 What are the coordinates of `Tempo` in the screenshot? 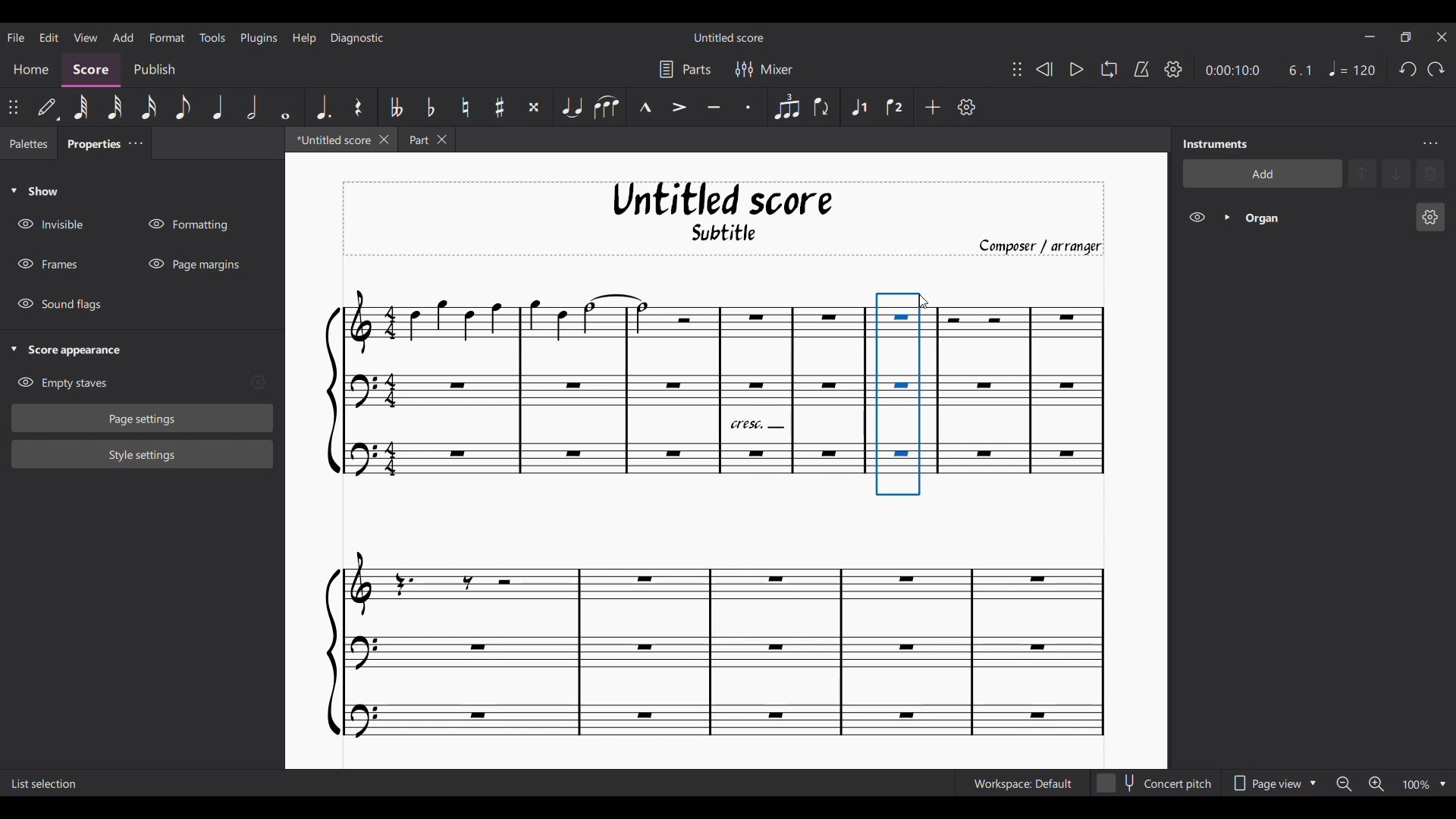 It's located at (1352, 68).